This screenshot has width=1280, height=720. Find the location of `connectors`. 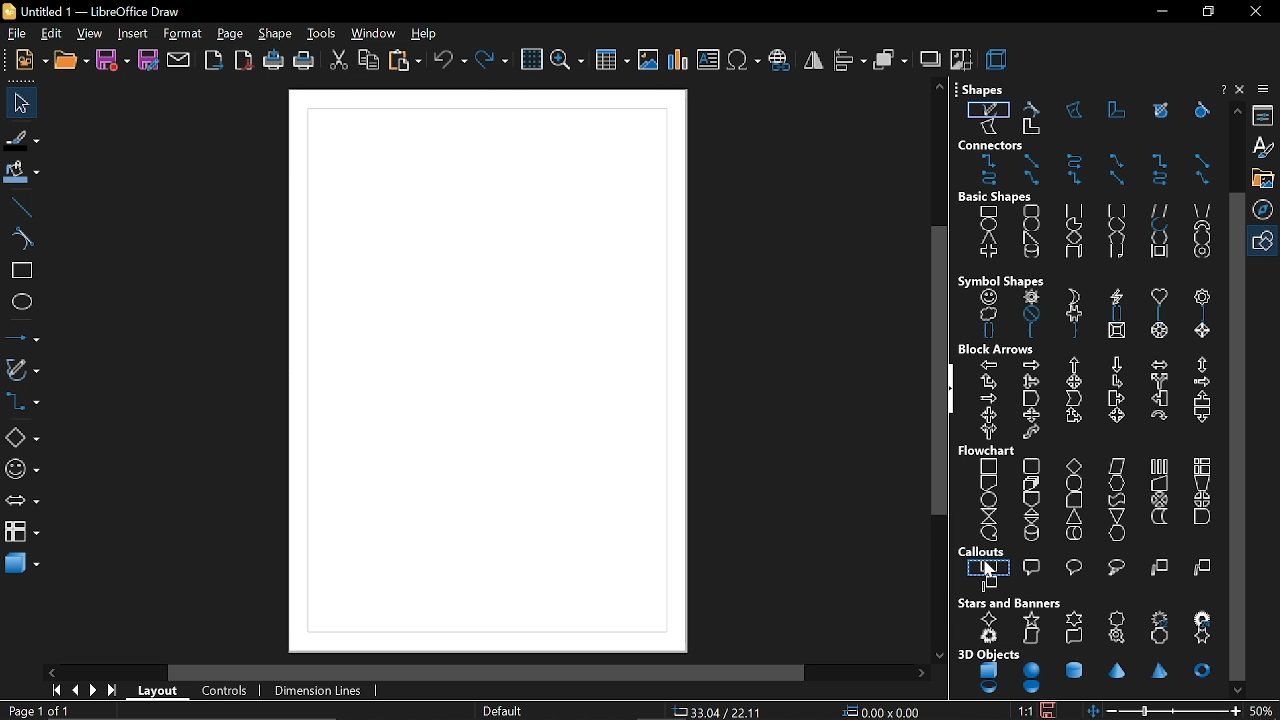

connectors is located at coordinates (993, 145).